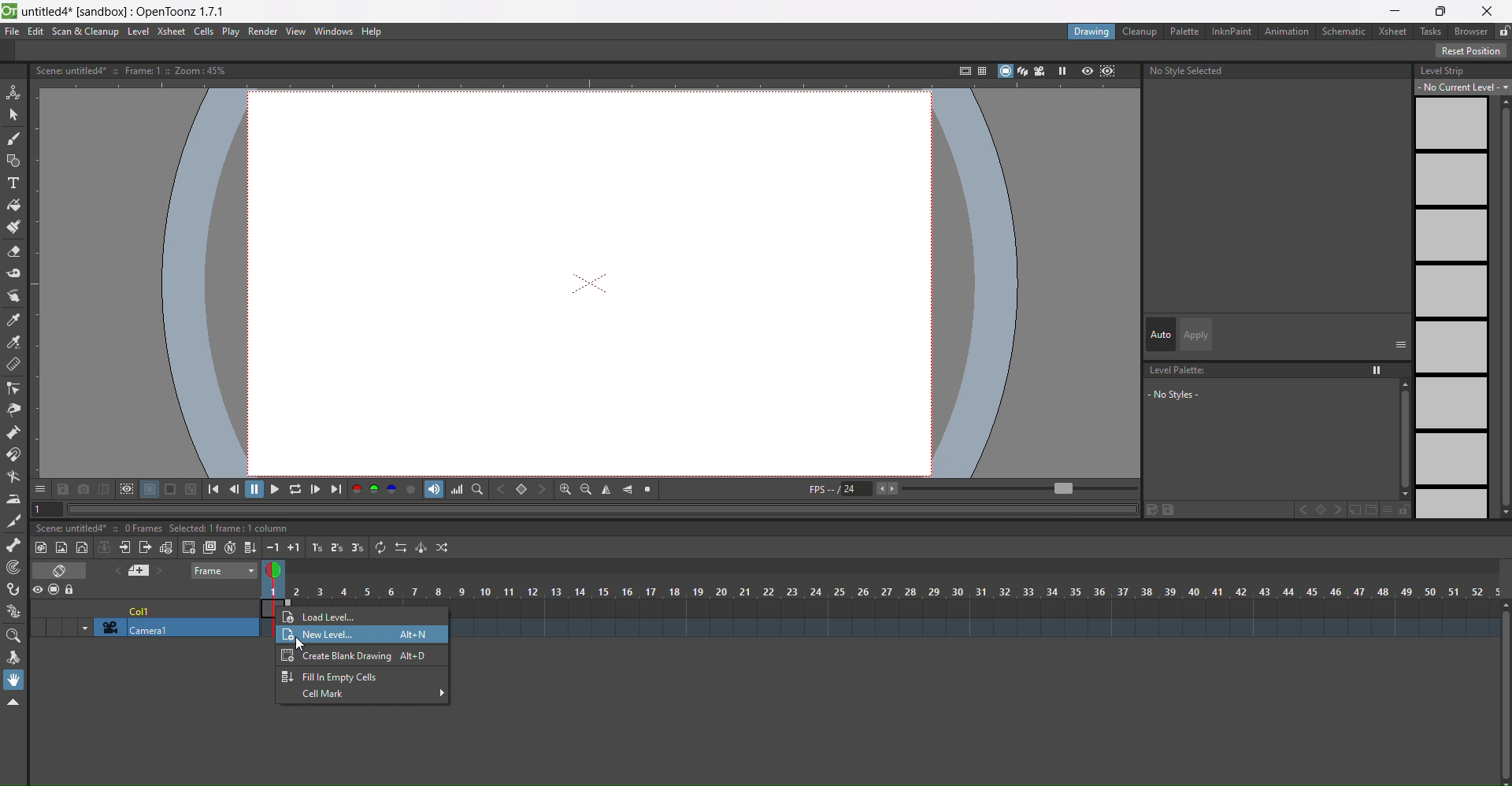 This screenshot has width=1512, height=786. Describe the element at coordinates (13, 297) in the screenshot. I see `finger tool` at that location.